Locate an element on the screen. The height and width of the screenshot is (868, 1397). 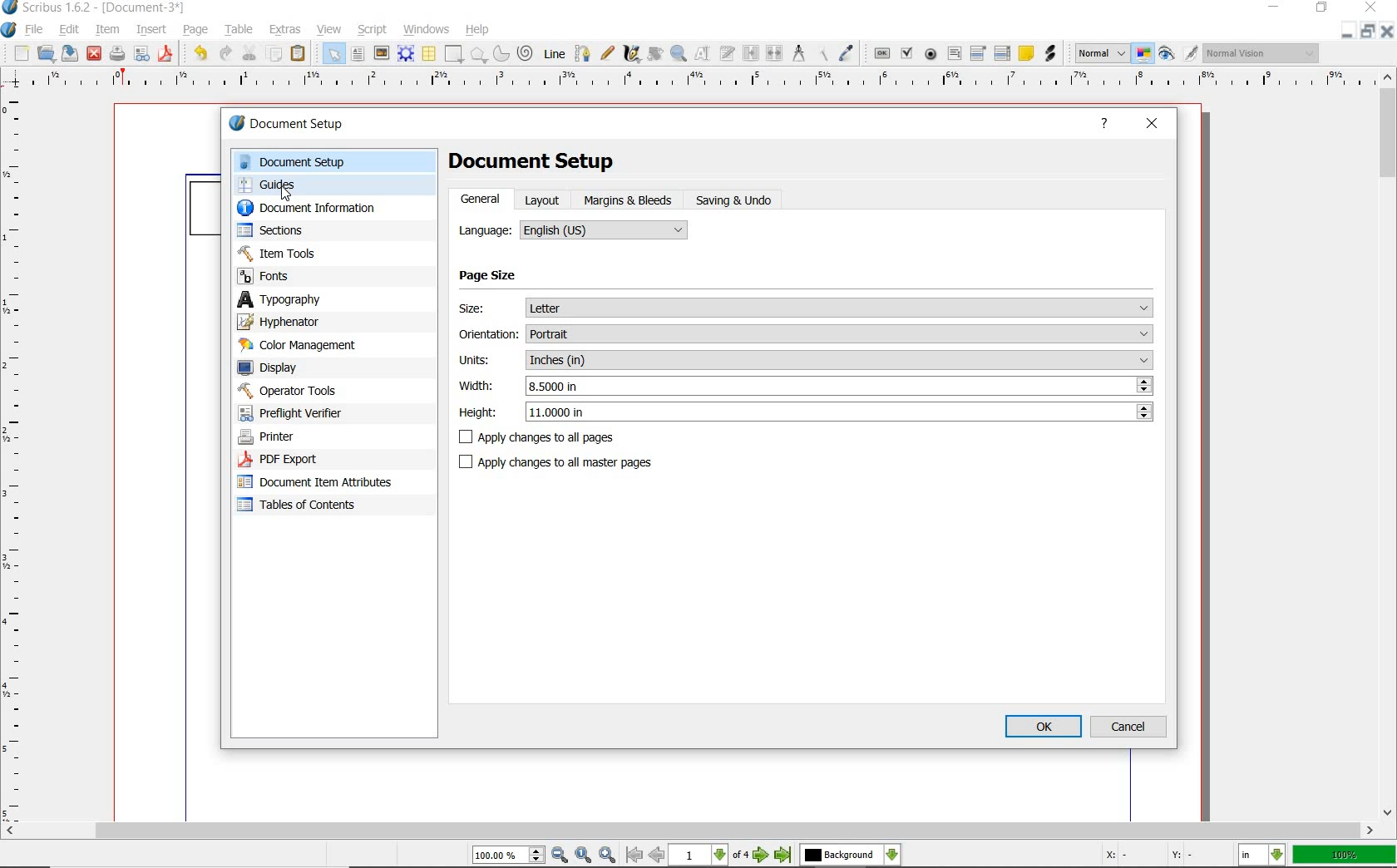
pdf radio button is located at coordinates (932, 54).